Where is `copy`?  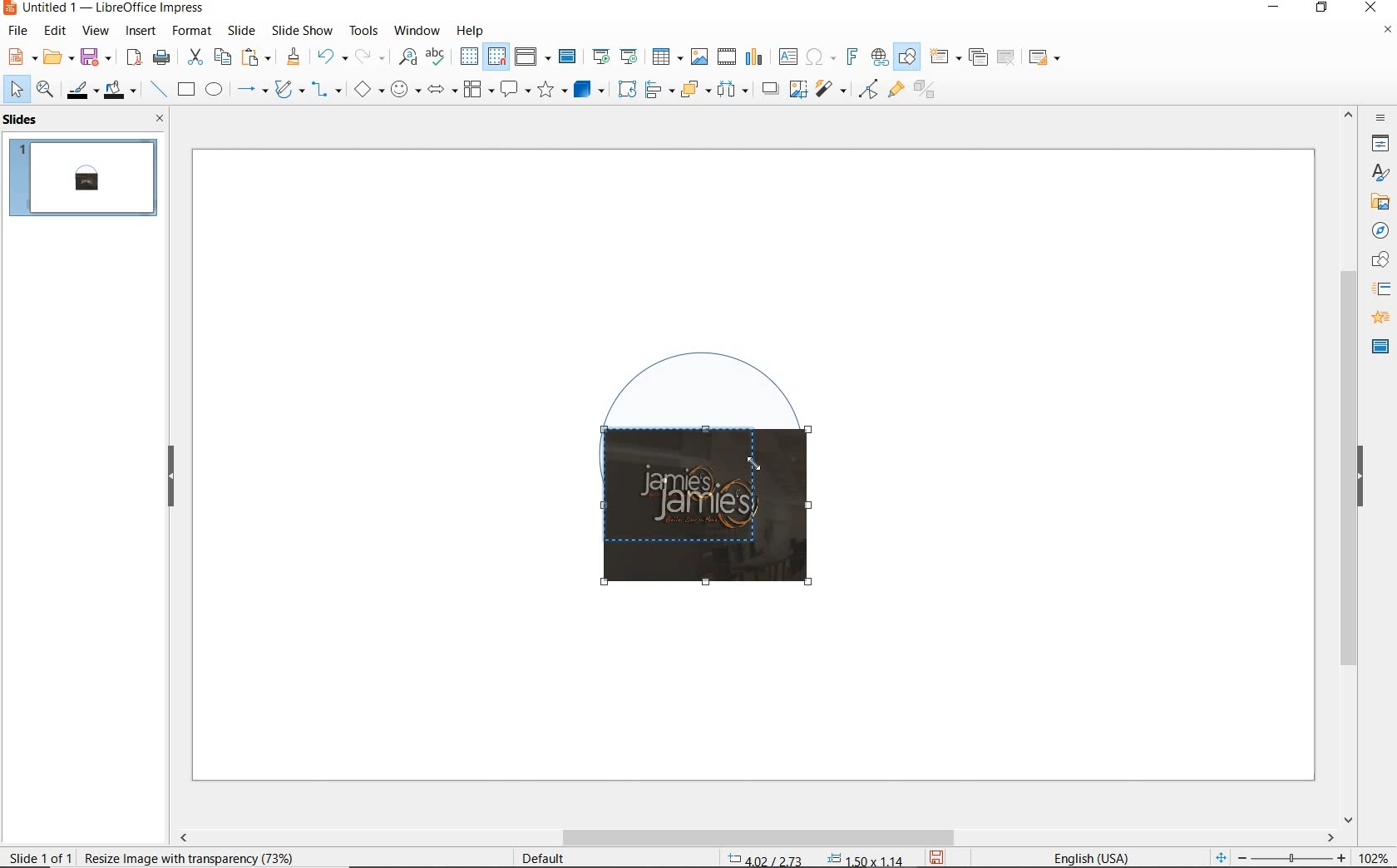
copy is located at coordinates (222, 57).